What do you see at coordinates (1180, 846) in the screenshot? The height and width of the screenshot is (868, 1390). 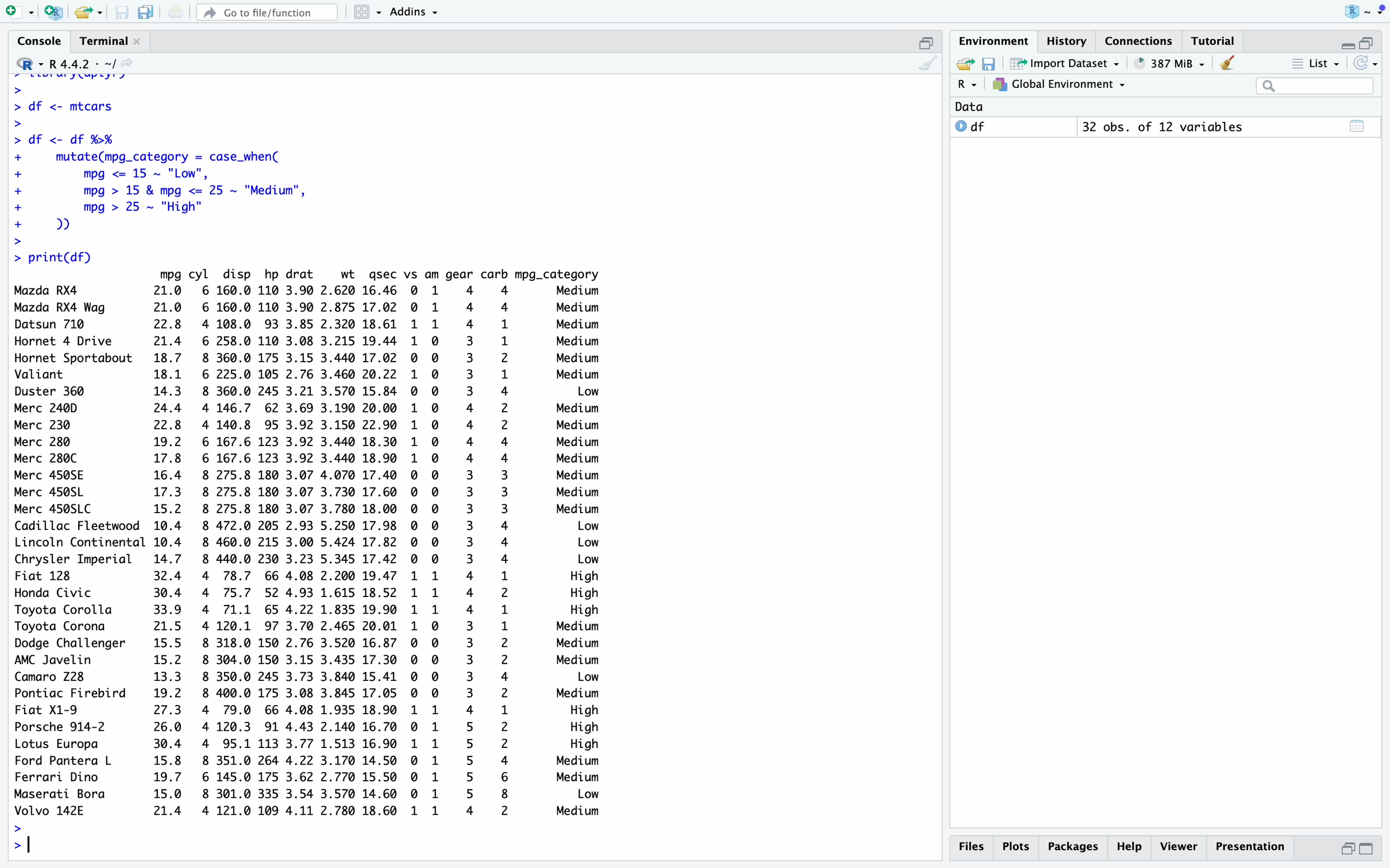 I see `viewer` at bounding box center [1180, 846].